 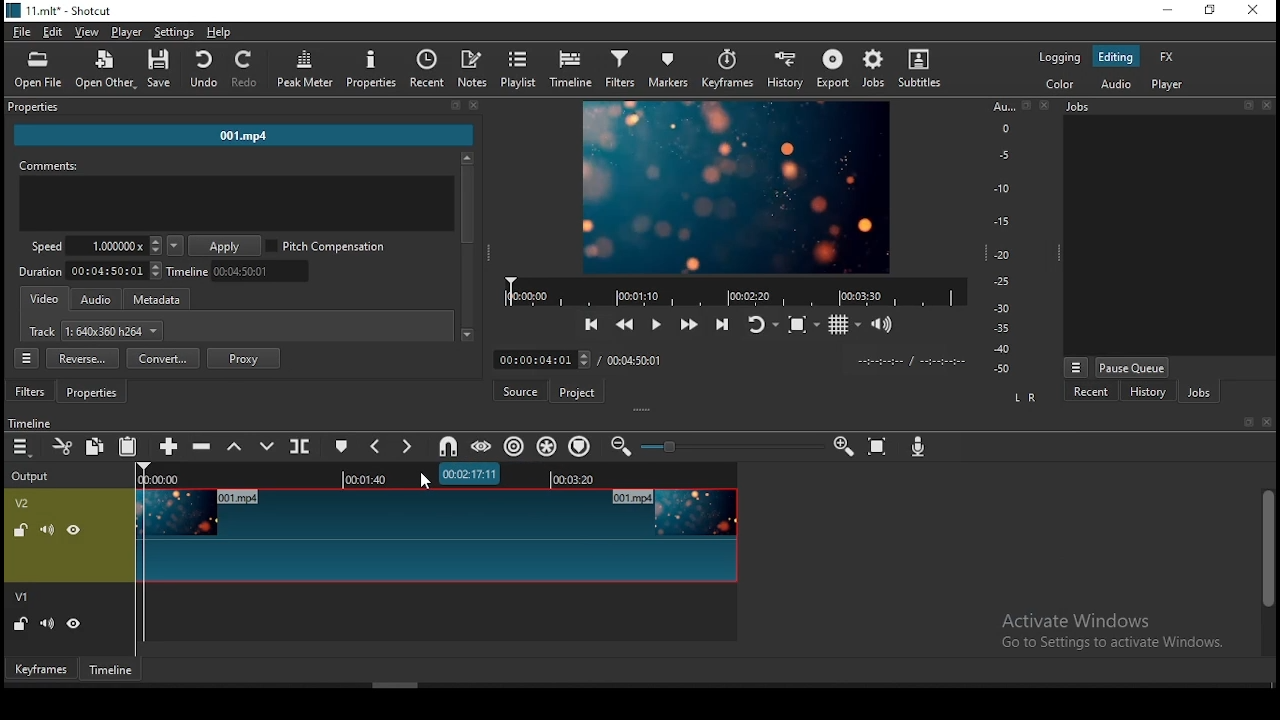 What do you see at coordinates (659, 322) in the screenshot?
I see `play/pause` at bounding box center [659, 322].